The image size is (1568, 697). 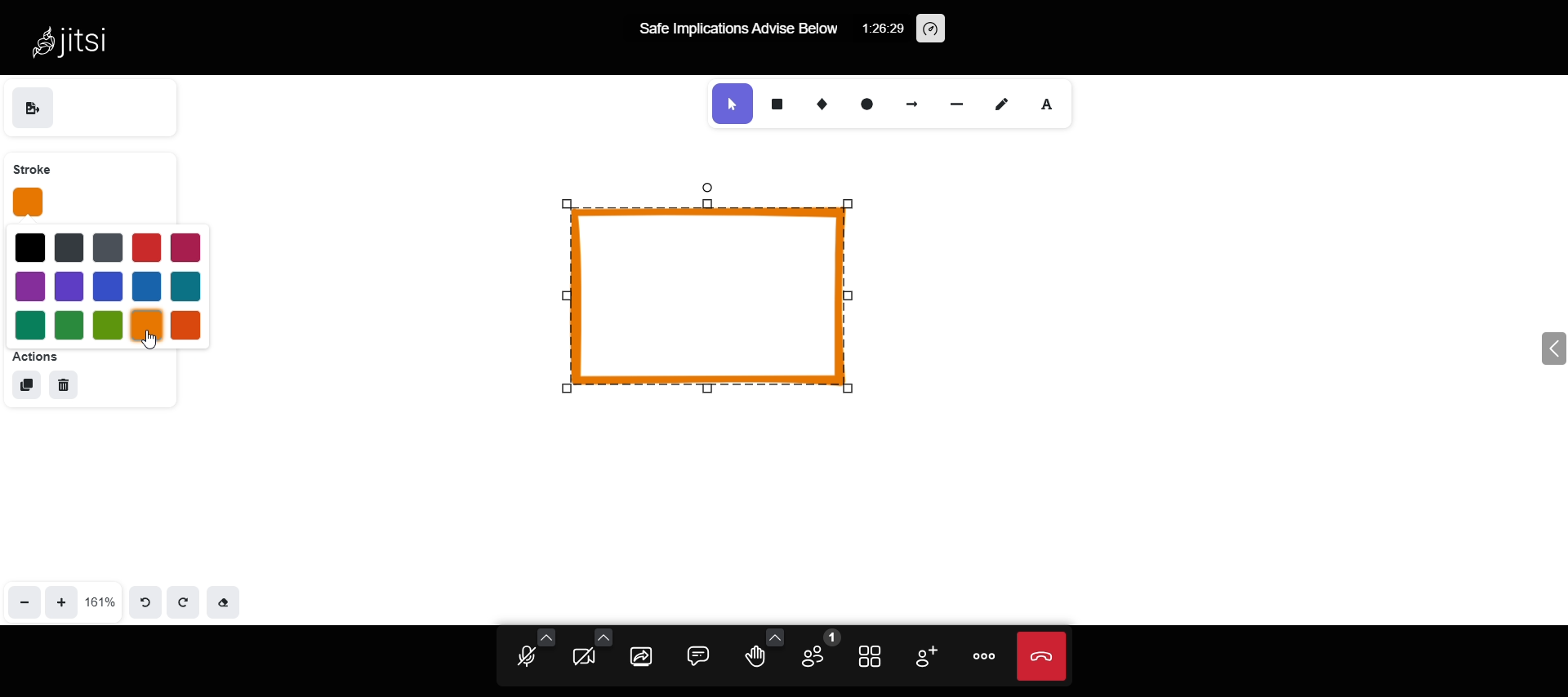 I want to click on black, so click(x=27, y=244).